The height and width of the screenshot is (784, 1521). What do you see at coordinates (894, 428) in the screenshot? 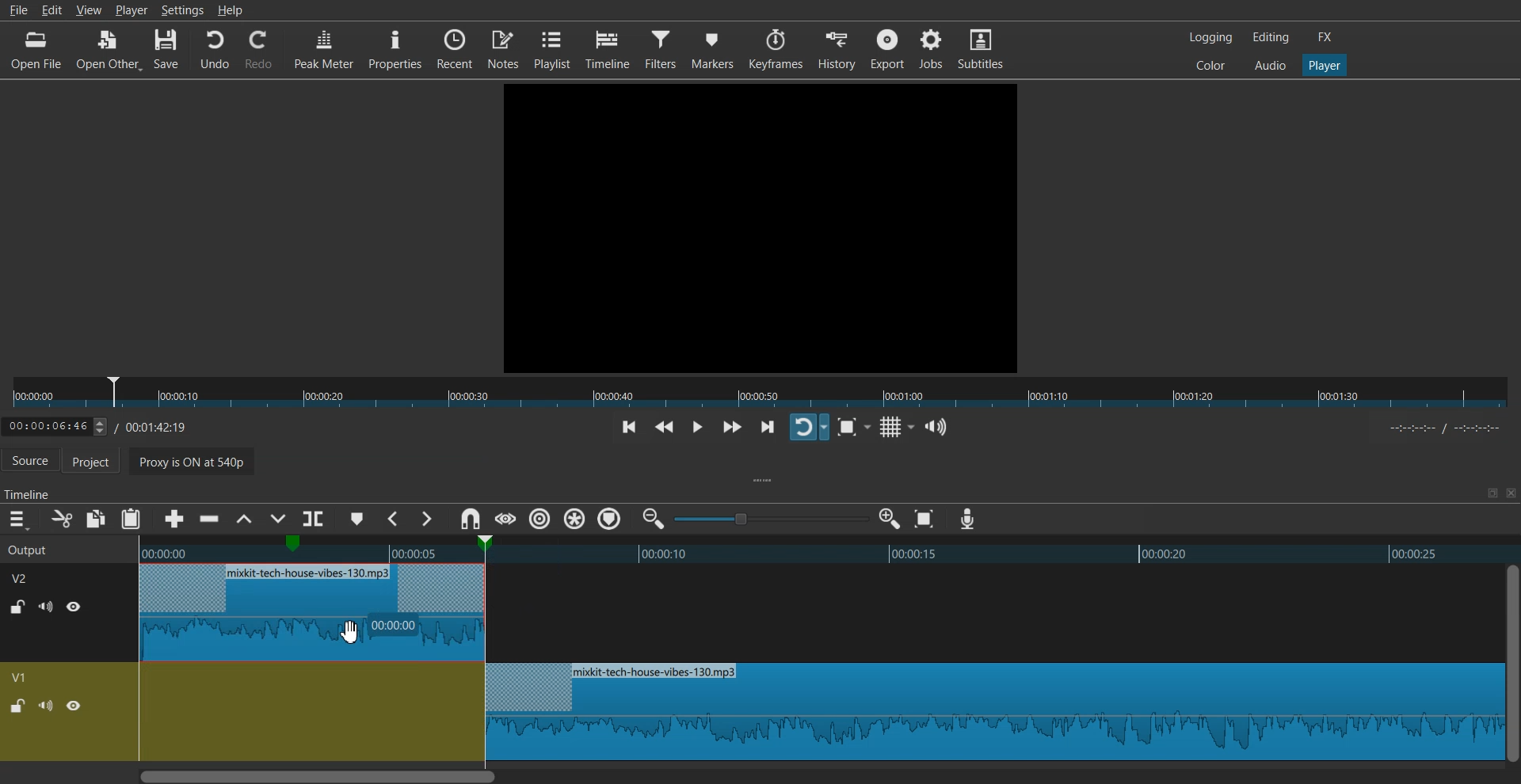
I see `Toggle grid display on the player` at bounding box center [894, 428].